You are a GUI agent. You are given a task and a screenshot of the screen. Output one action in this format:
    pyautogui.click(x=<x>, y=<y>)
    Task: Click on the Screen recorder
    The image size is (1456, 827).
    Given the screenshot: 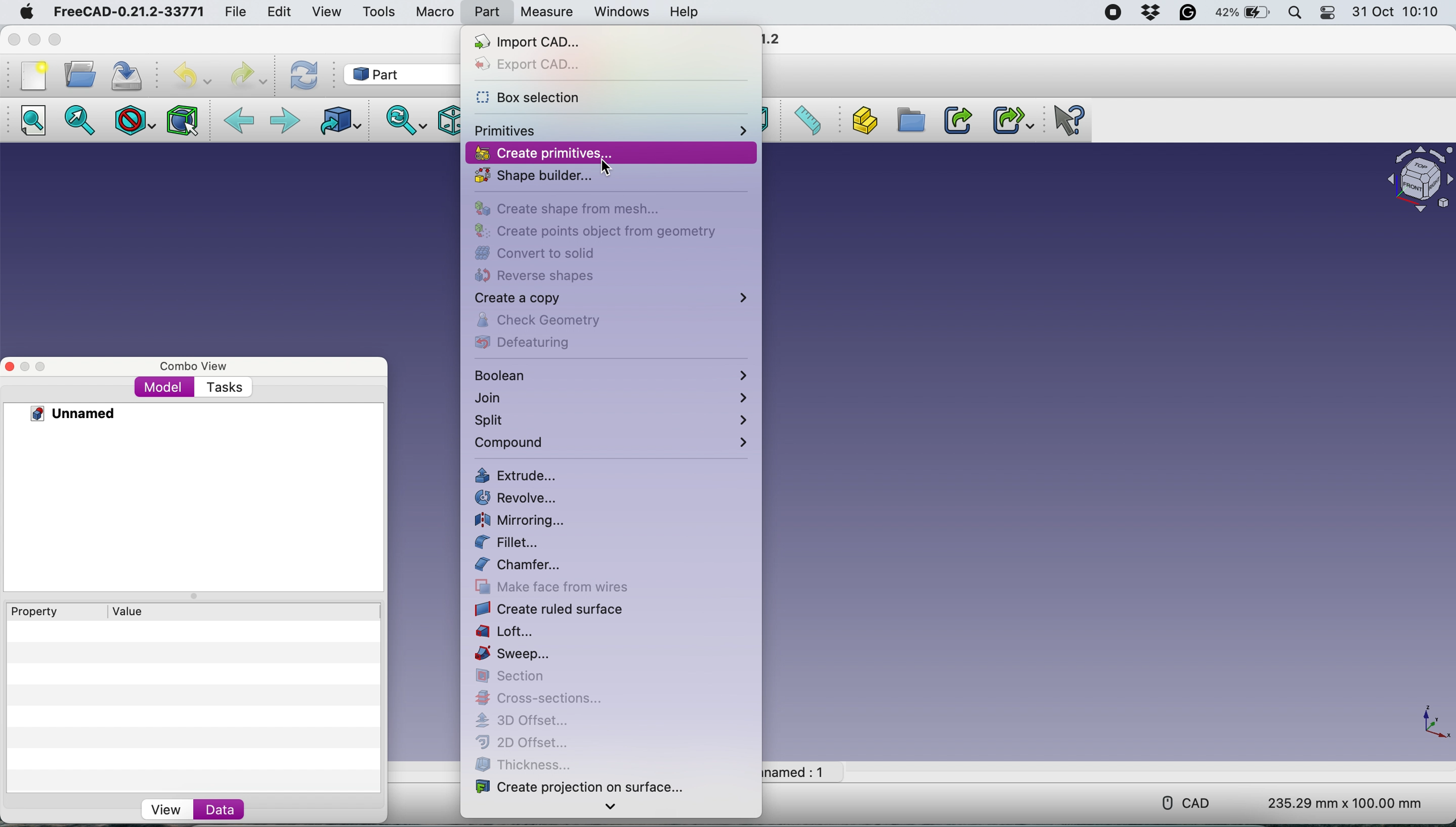 What is the action you would take?
    pyautogui.click(x=1115, y=12)
    